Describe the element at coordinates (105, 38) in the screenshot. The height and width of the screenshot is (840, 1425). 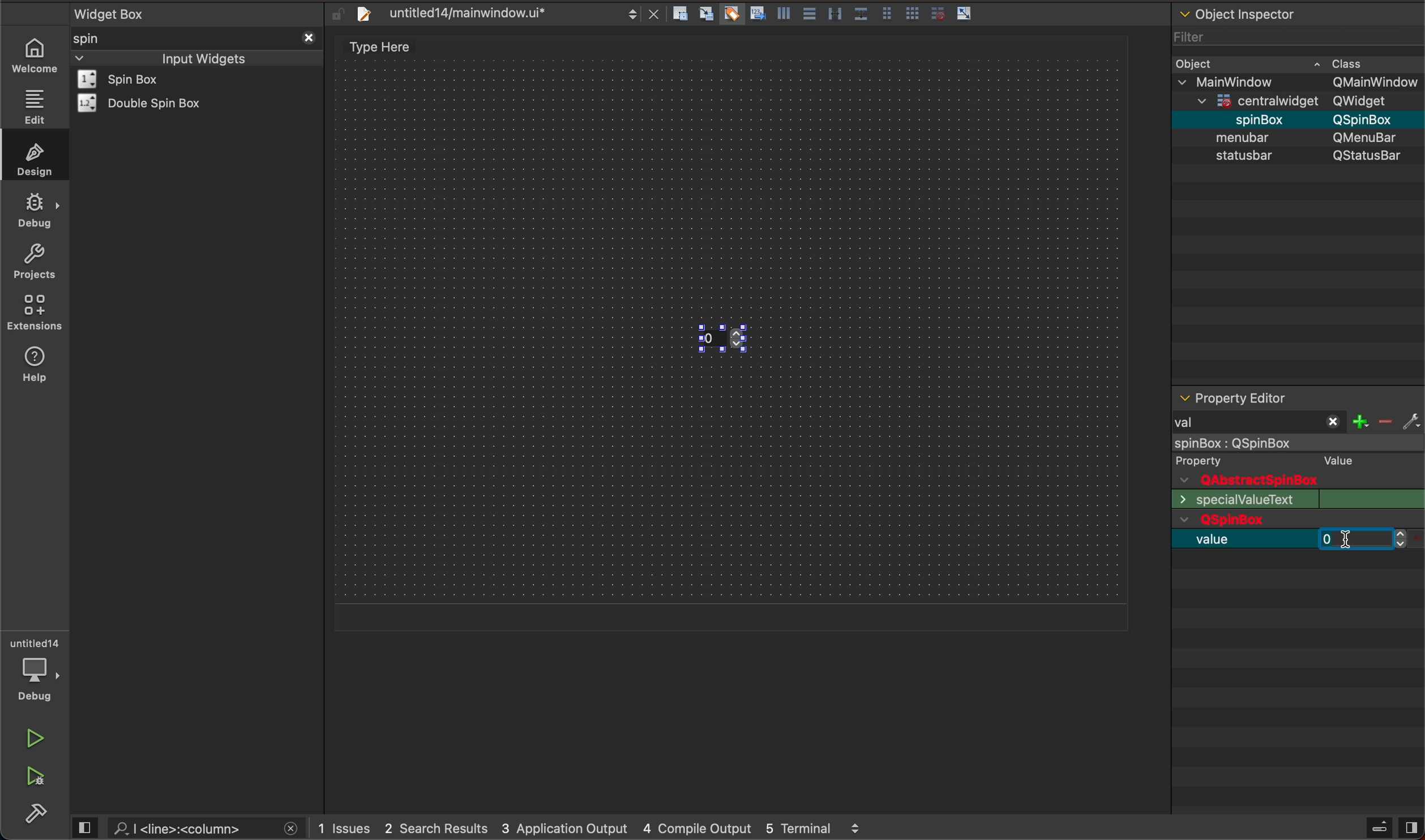
I see `spin` at that location.